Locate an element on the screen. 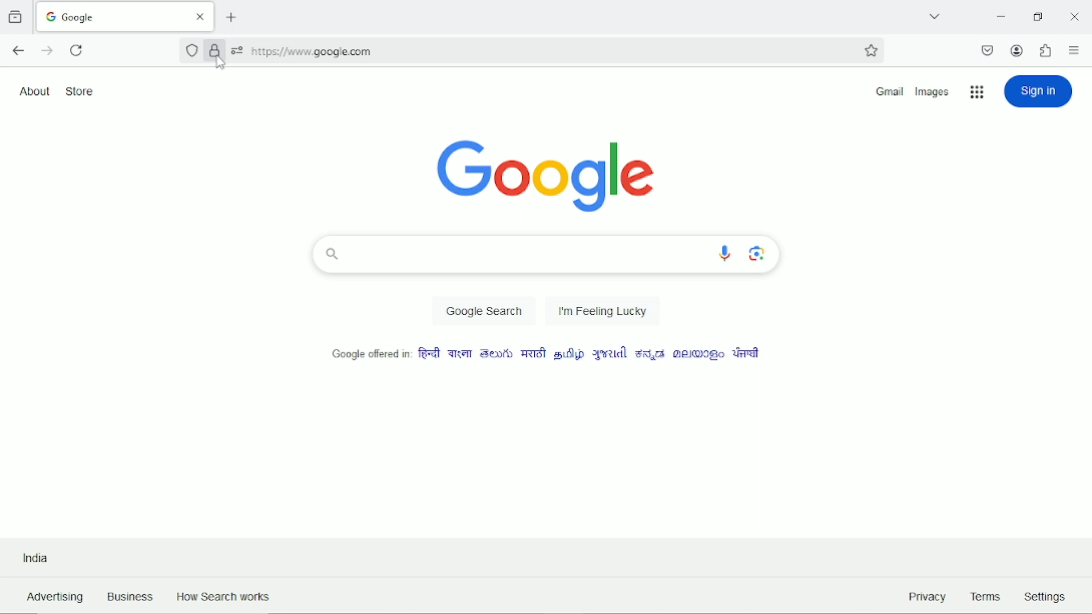 The width and height of the screenshot is (1092, 614). Search bar is located at coordinates (546, 255).